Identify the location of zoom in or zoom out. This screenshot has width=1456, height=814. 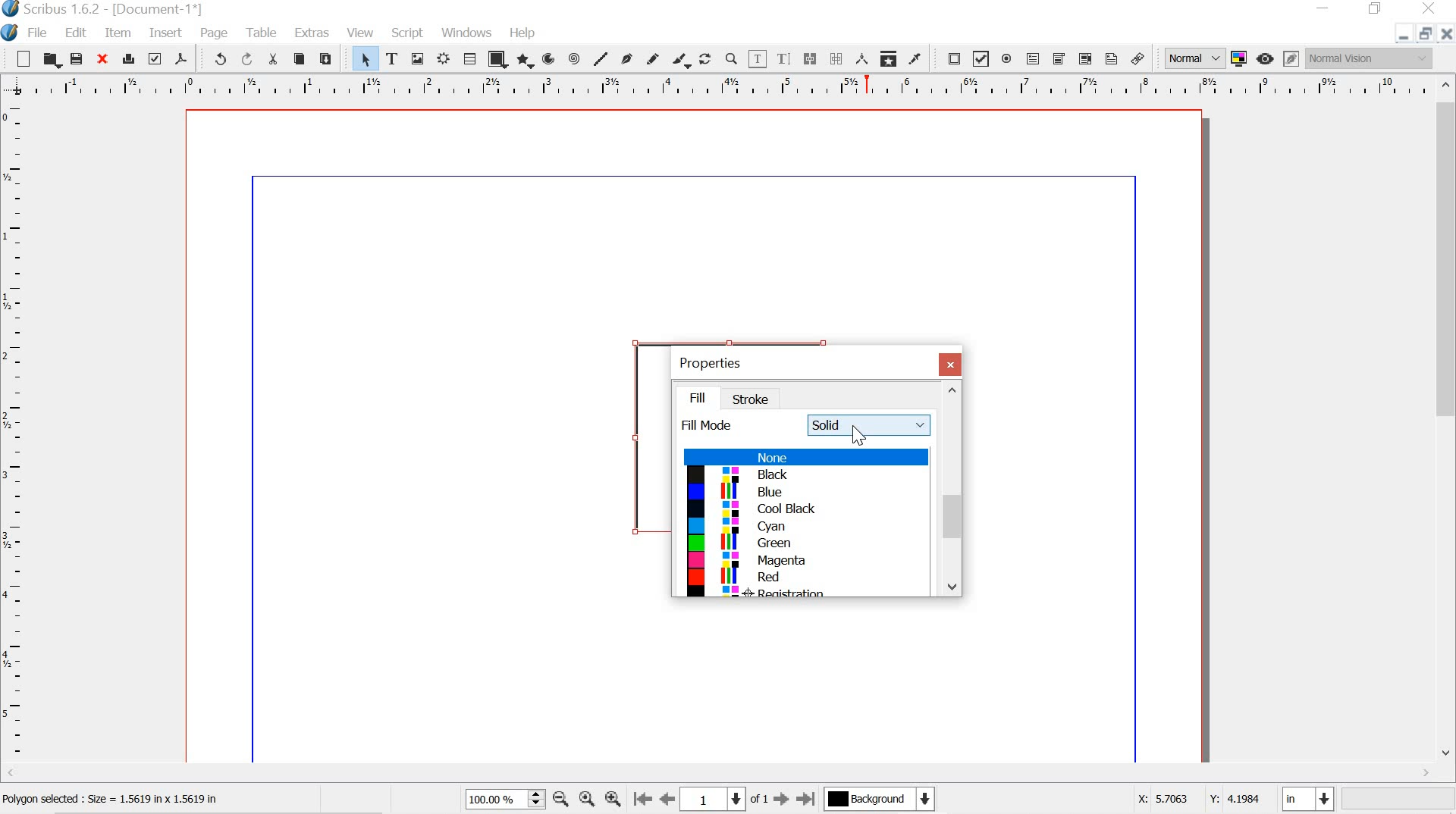
(731, 58).